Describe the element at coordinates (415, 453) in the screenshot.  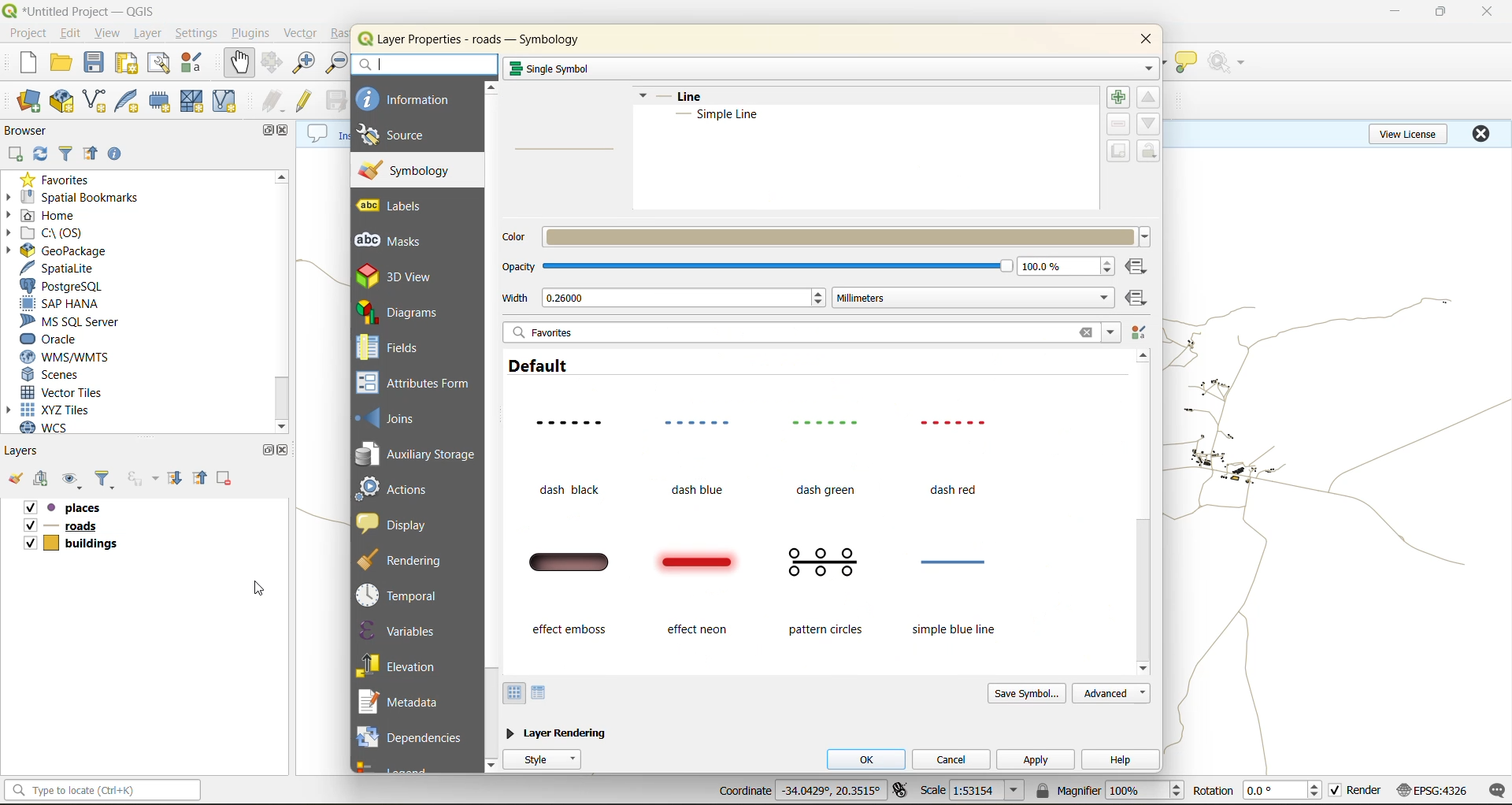
I see `auxillary storage` at that location.